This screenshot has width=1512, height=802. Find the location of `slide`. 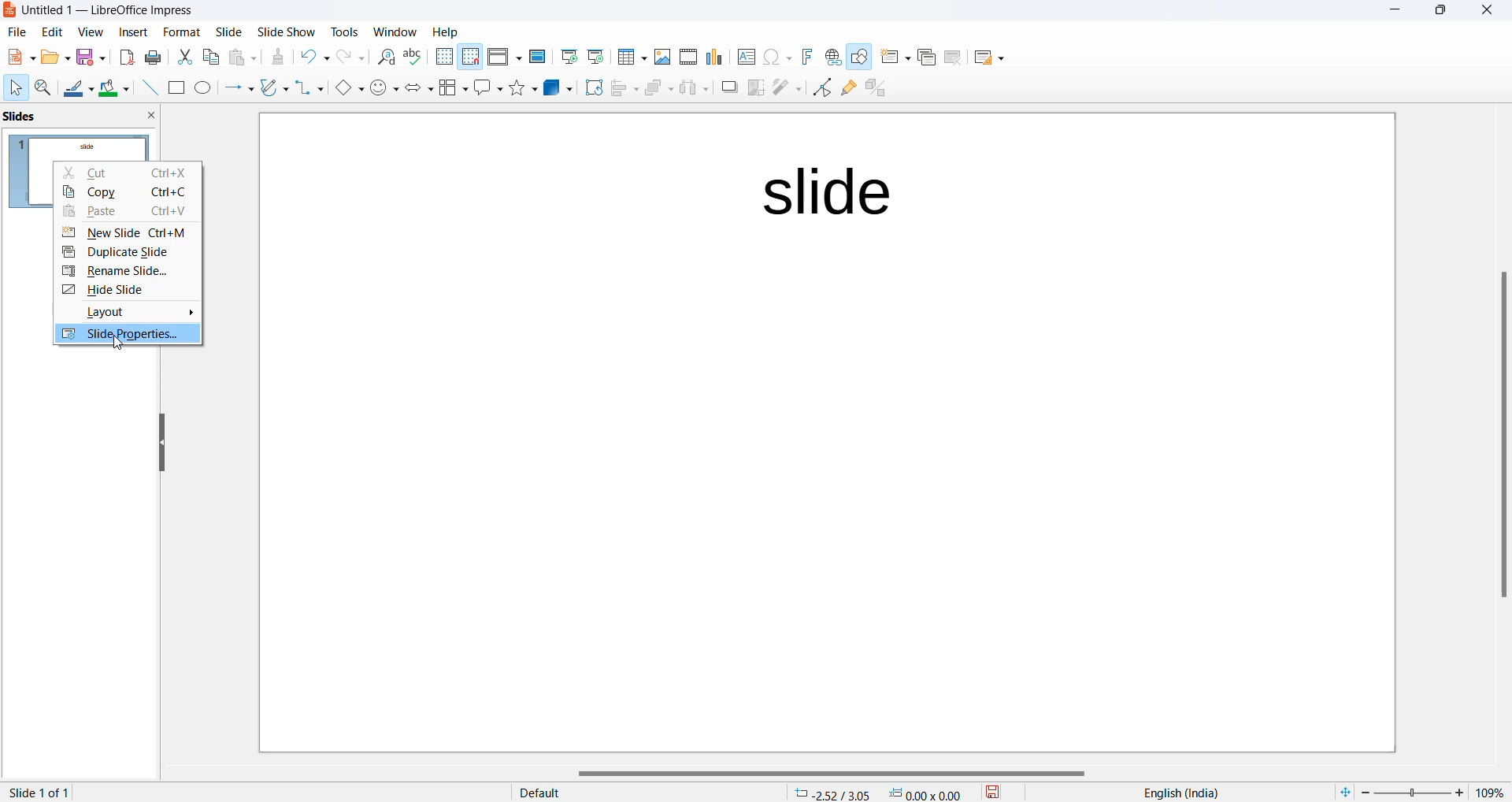

slide is located at coordinates (181, 32).